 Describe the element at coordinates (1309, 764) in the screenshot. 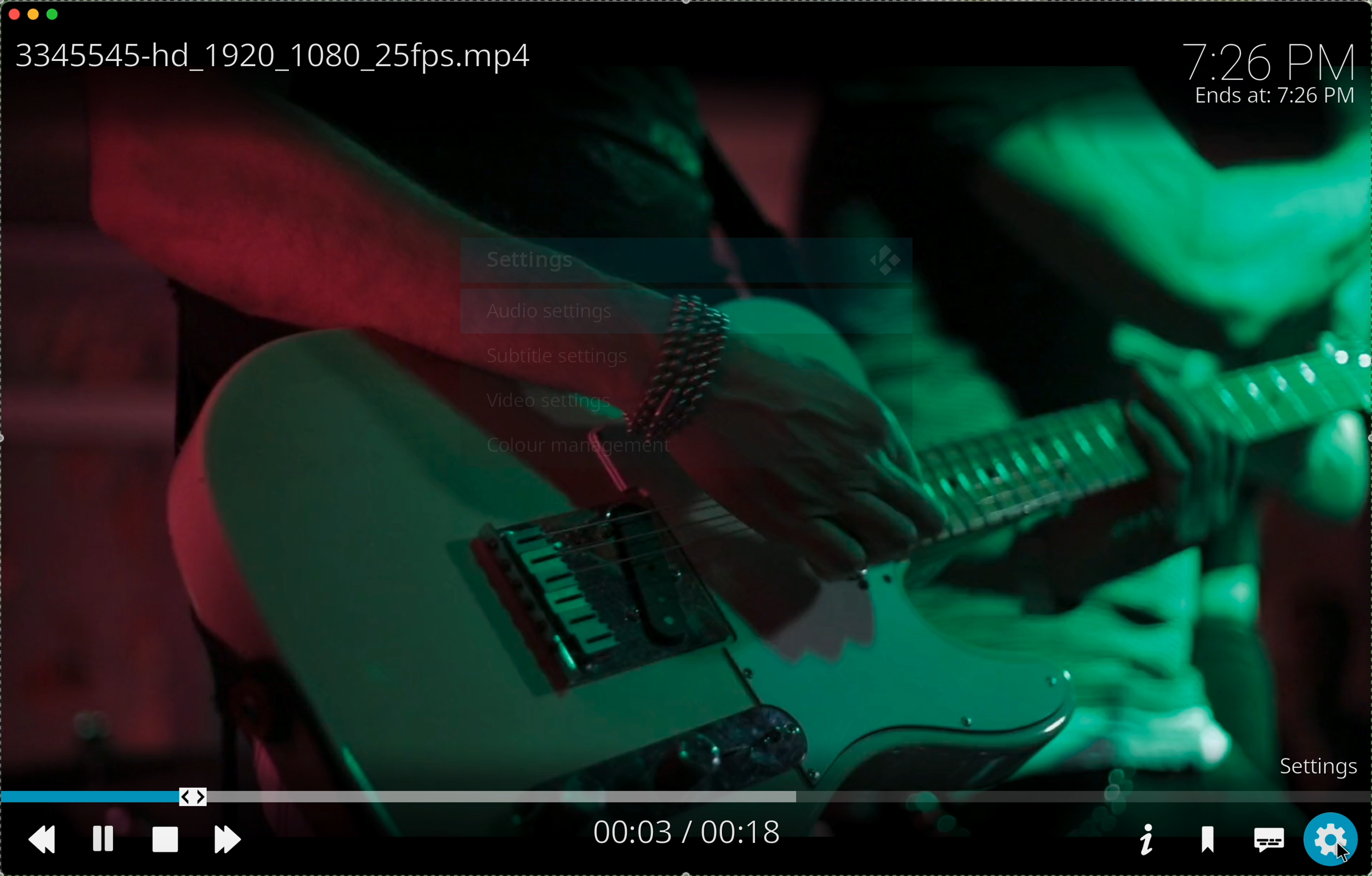

I see `settings` at that location.